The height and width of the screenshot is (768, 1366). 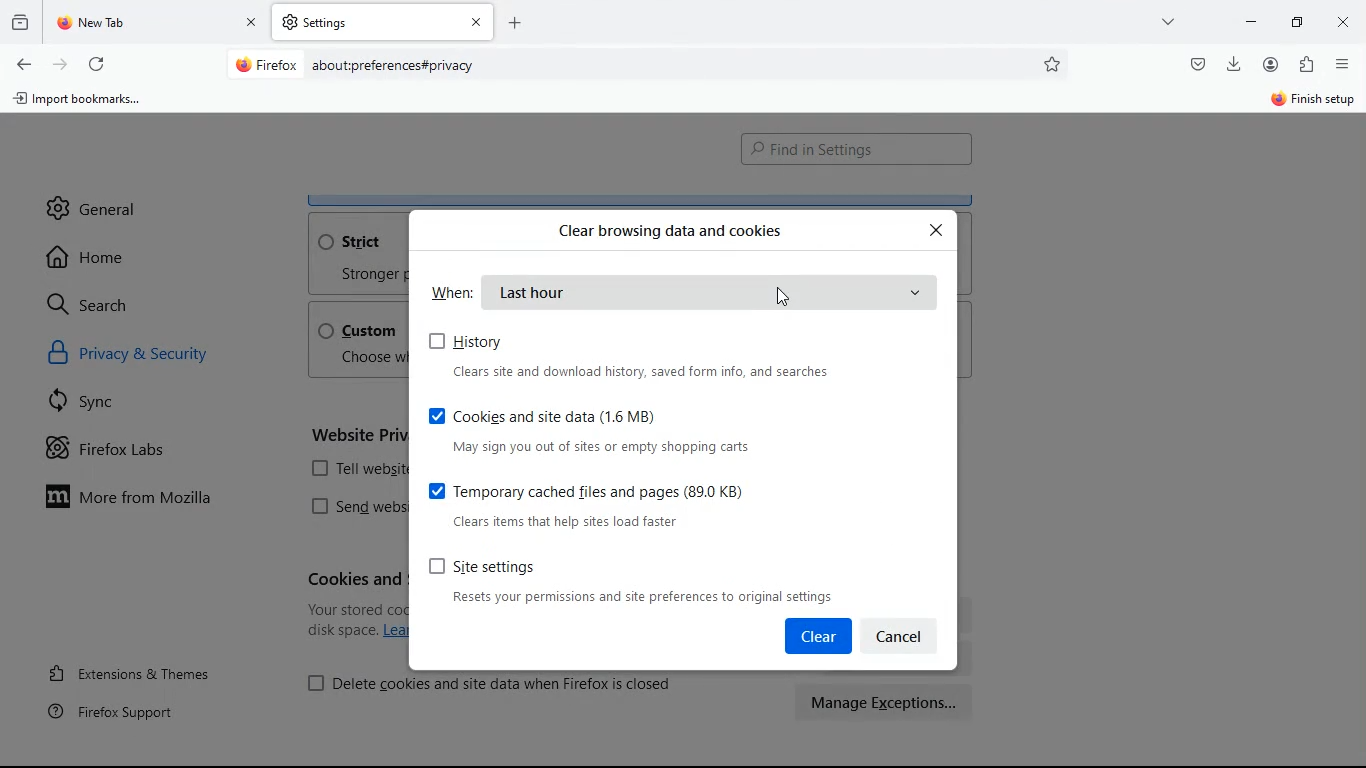 I want to click on minimize, so click(x=1251, y=20).